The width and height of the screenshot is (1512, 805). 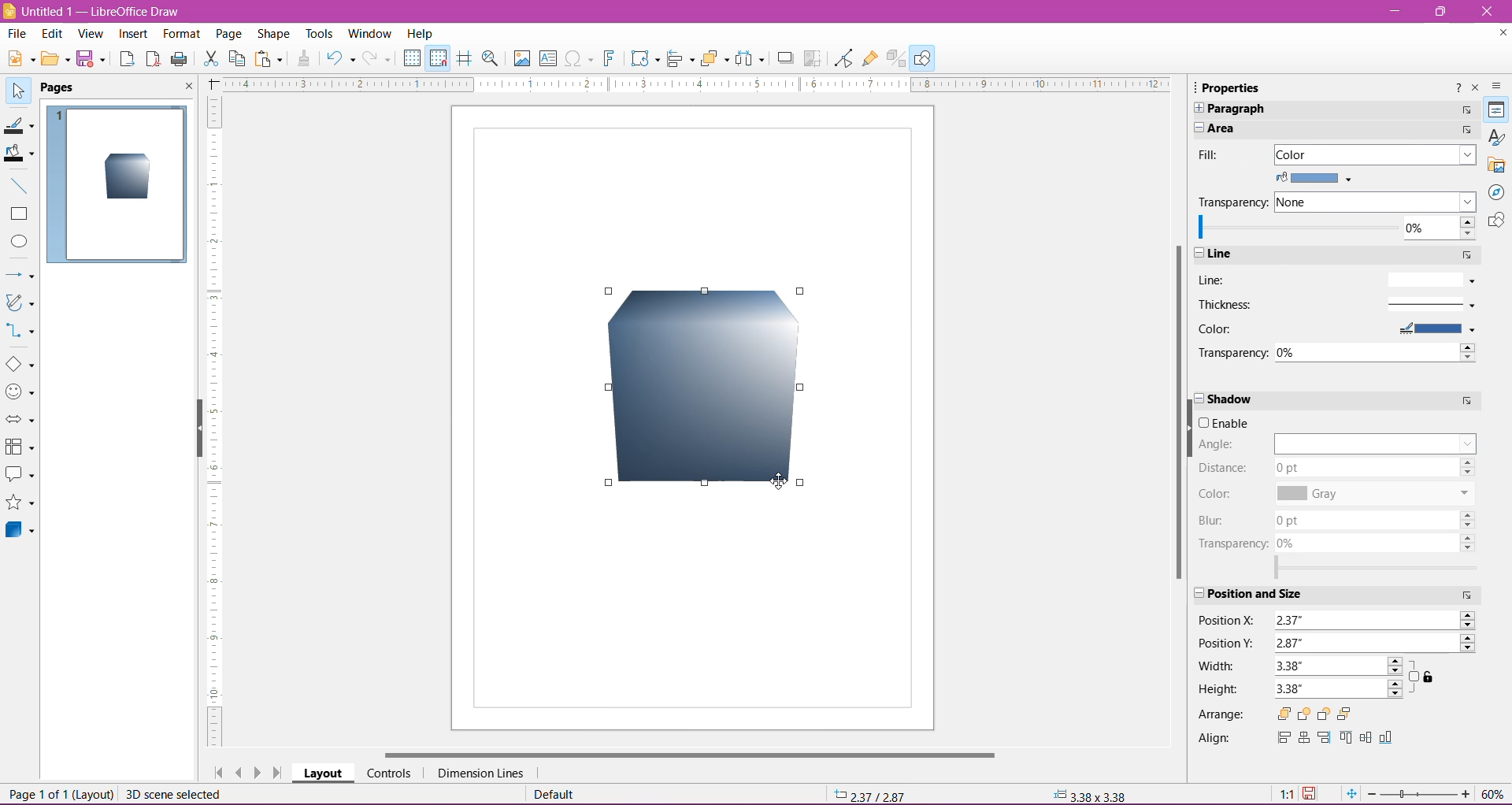 I want to click on Expand/Close, so click(x=1198, y=254).